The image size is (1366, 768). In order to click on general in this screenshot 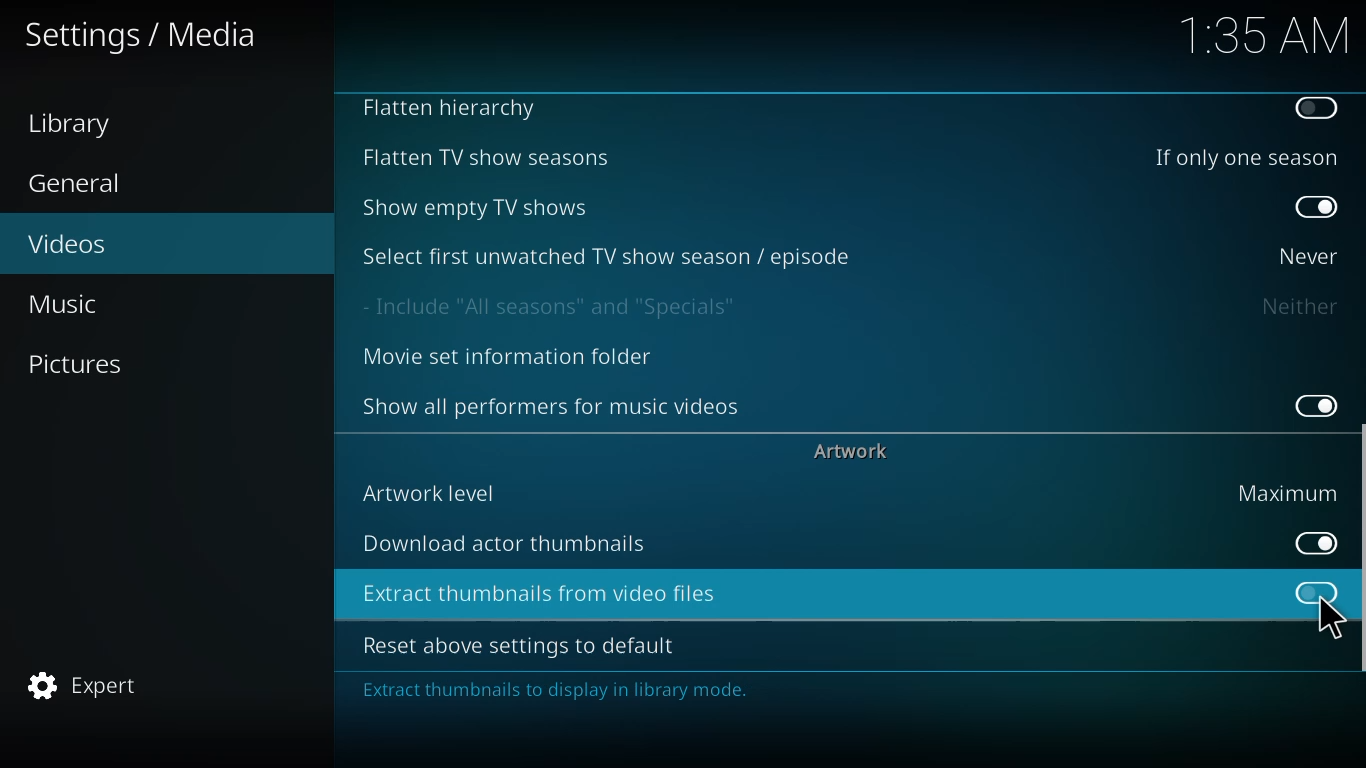, I will do `click(79, 184)`.